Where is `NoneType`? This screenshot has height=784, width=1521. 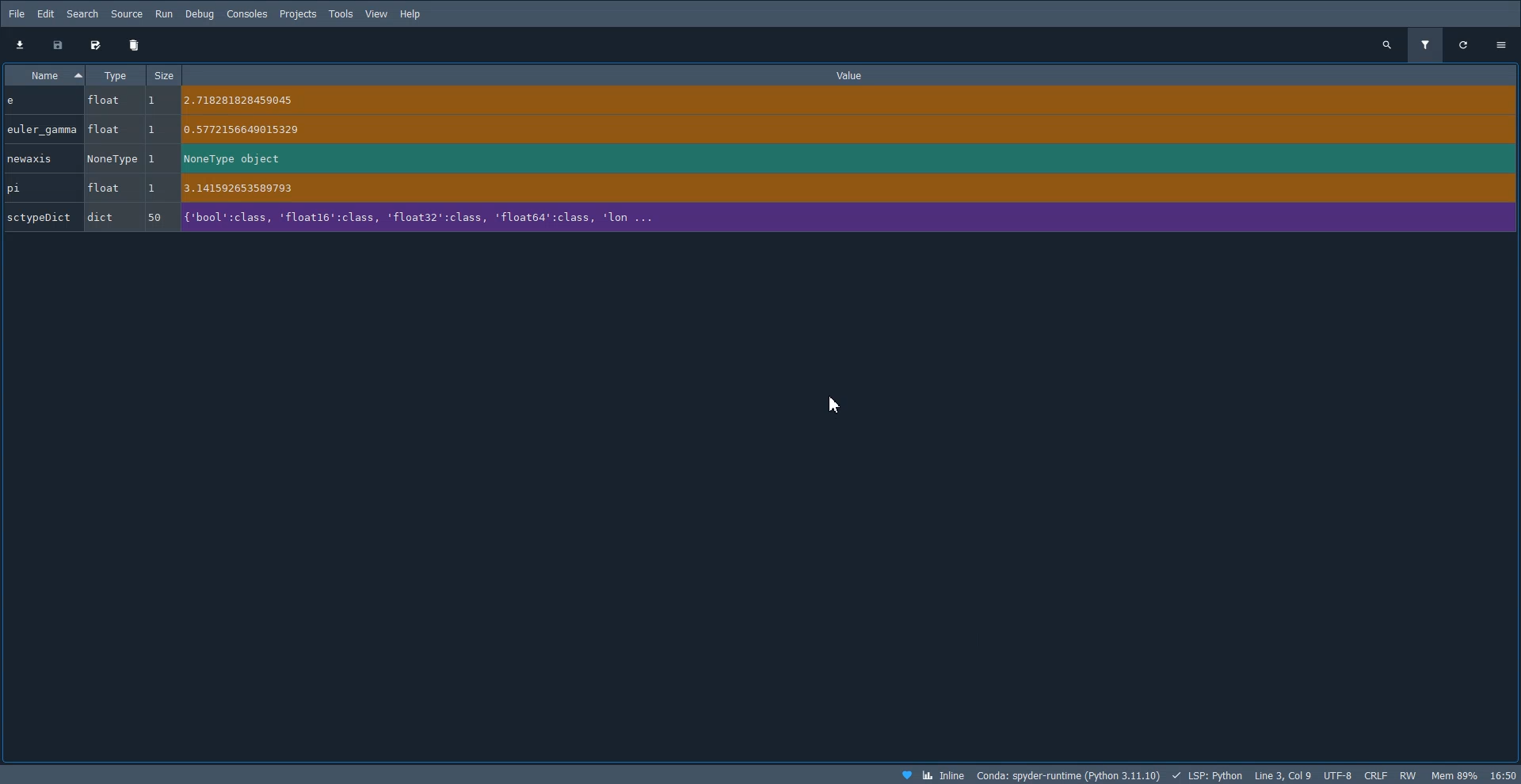
NoneType is located at coordinates (114, 160).